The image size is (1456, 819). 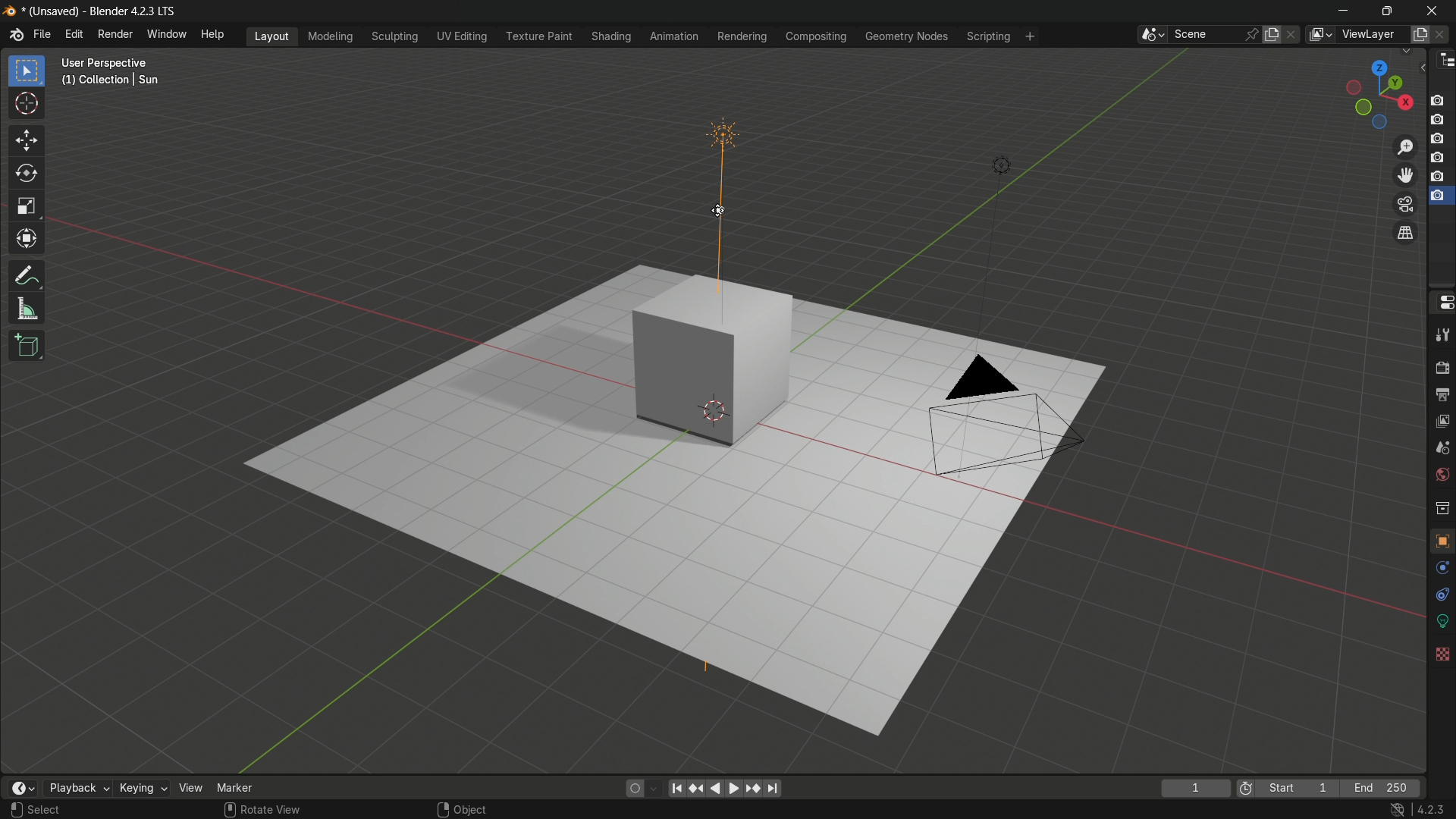 What do you see at coordinates (1294, 34) in the screenshot?
I see `delete scene` at bounding box center [1294, 34].